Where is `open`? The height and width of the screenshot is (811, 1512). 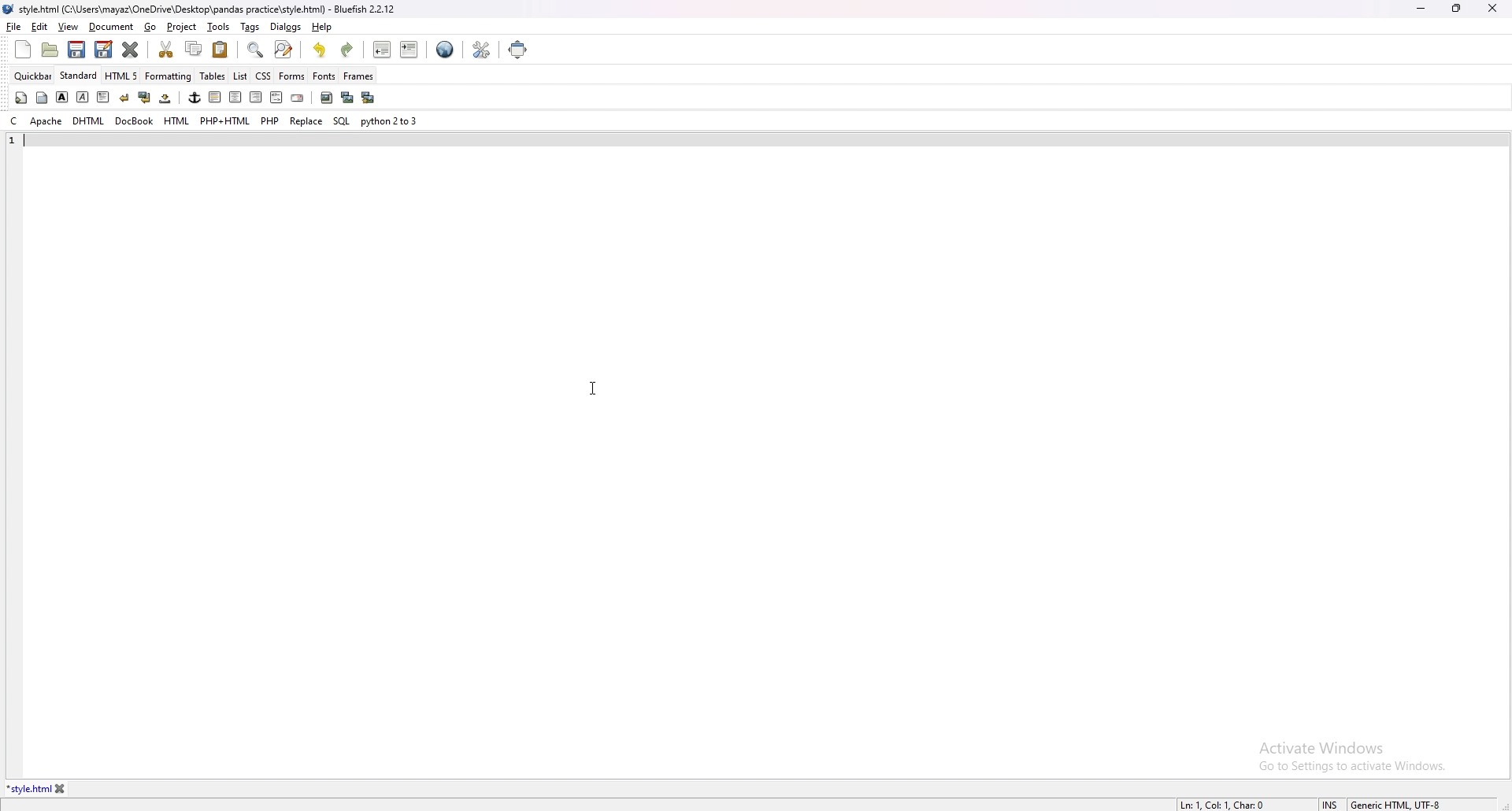
open is located at coordinates (52, 50).